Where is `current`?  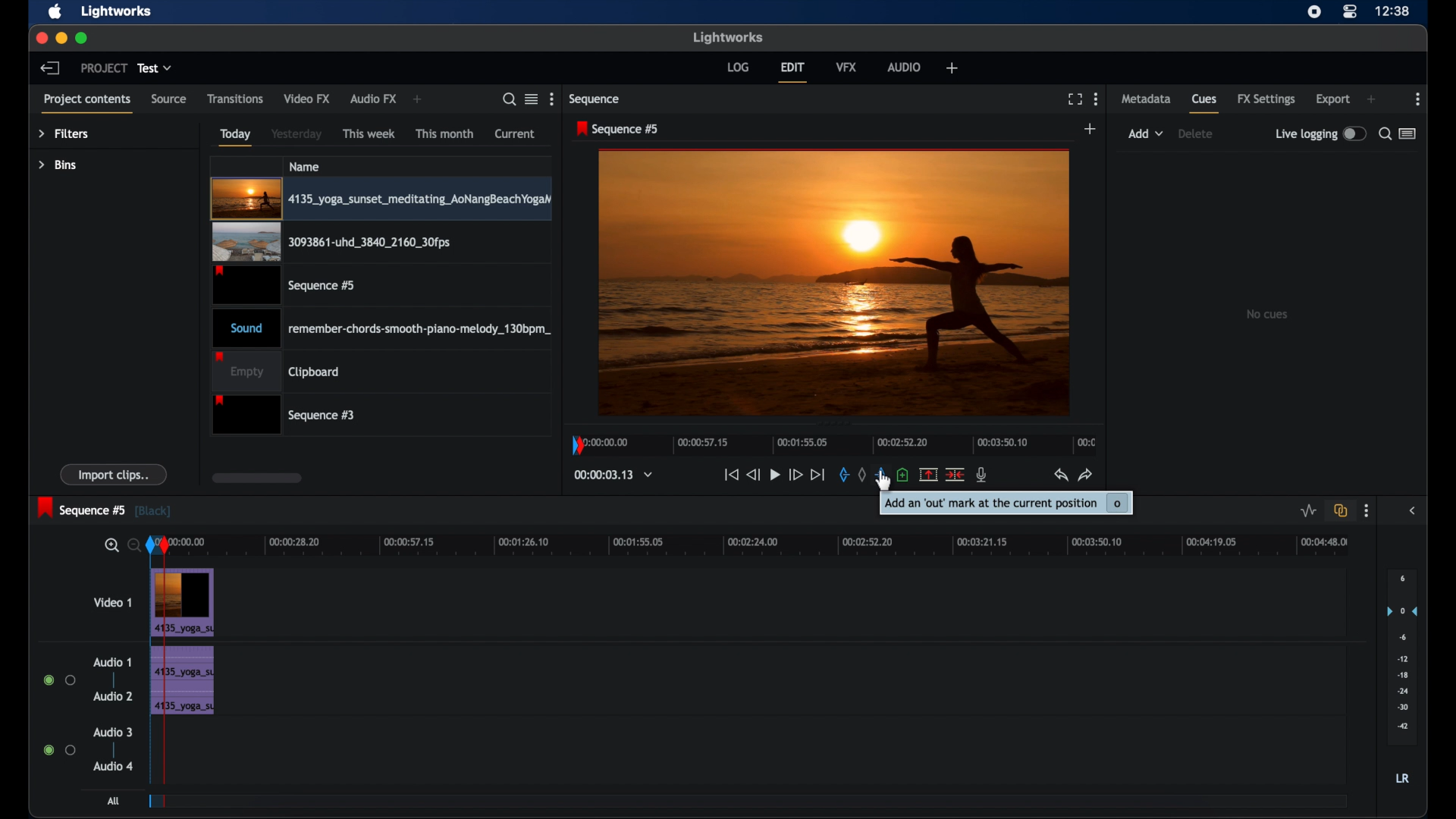
current is located at coordinates (515, 134).